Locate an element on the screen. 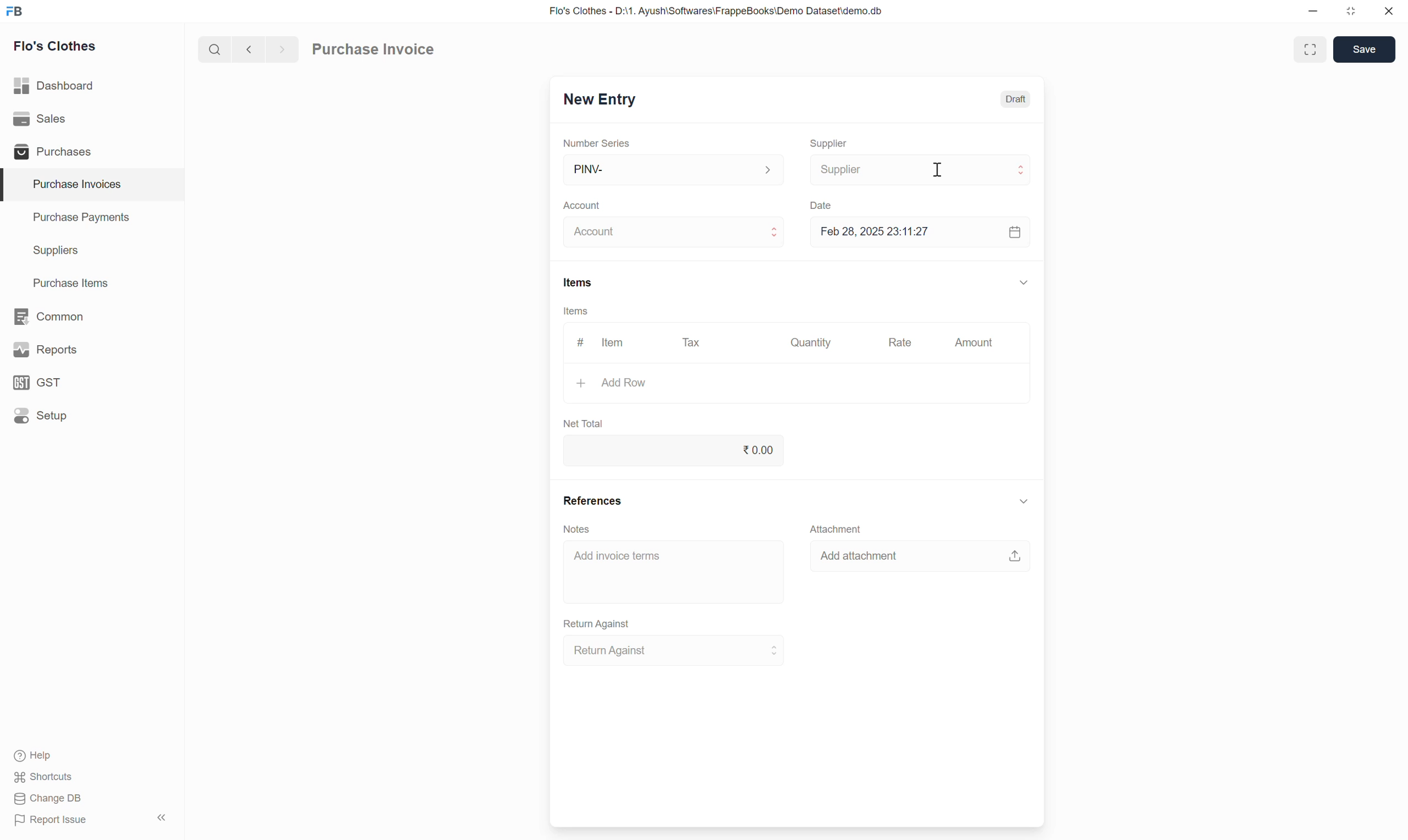 The width and height of the screenshot is (1408, 840). Change dimension is located at coordinates (1350, 11).